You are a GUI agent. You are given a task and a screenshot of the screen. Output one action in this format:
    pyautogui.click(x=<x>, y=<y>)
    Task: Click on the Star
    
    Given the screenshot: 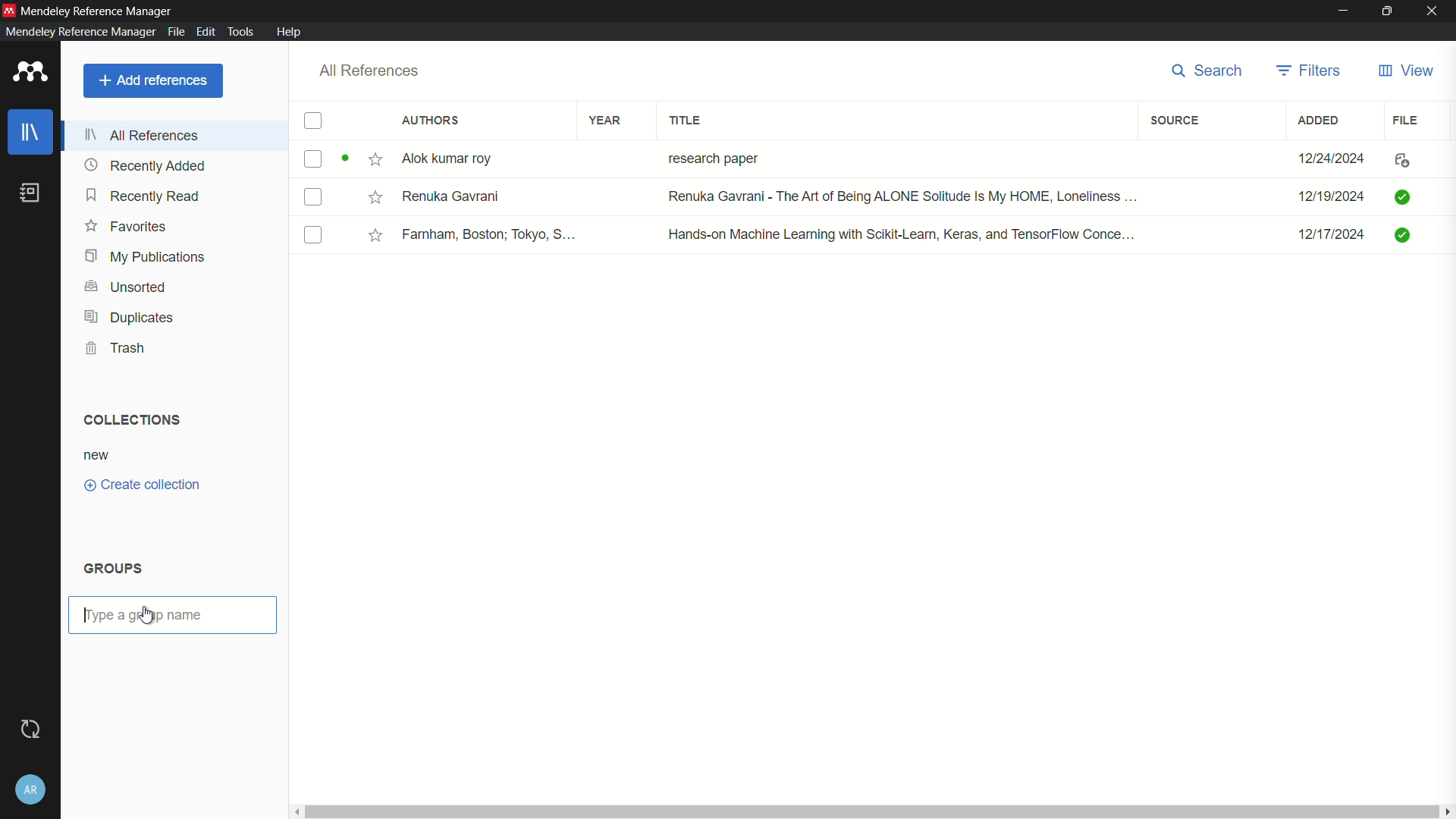 What is the action you would take?
    pyautogui.click(x=376, y=235)
    